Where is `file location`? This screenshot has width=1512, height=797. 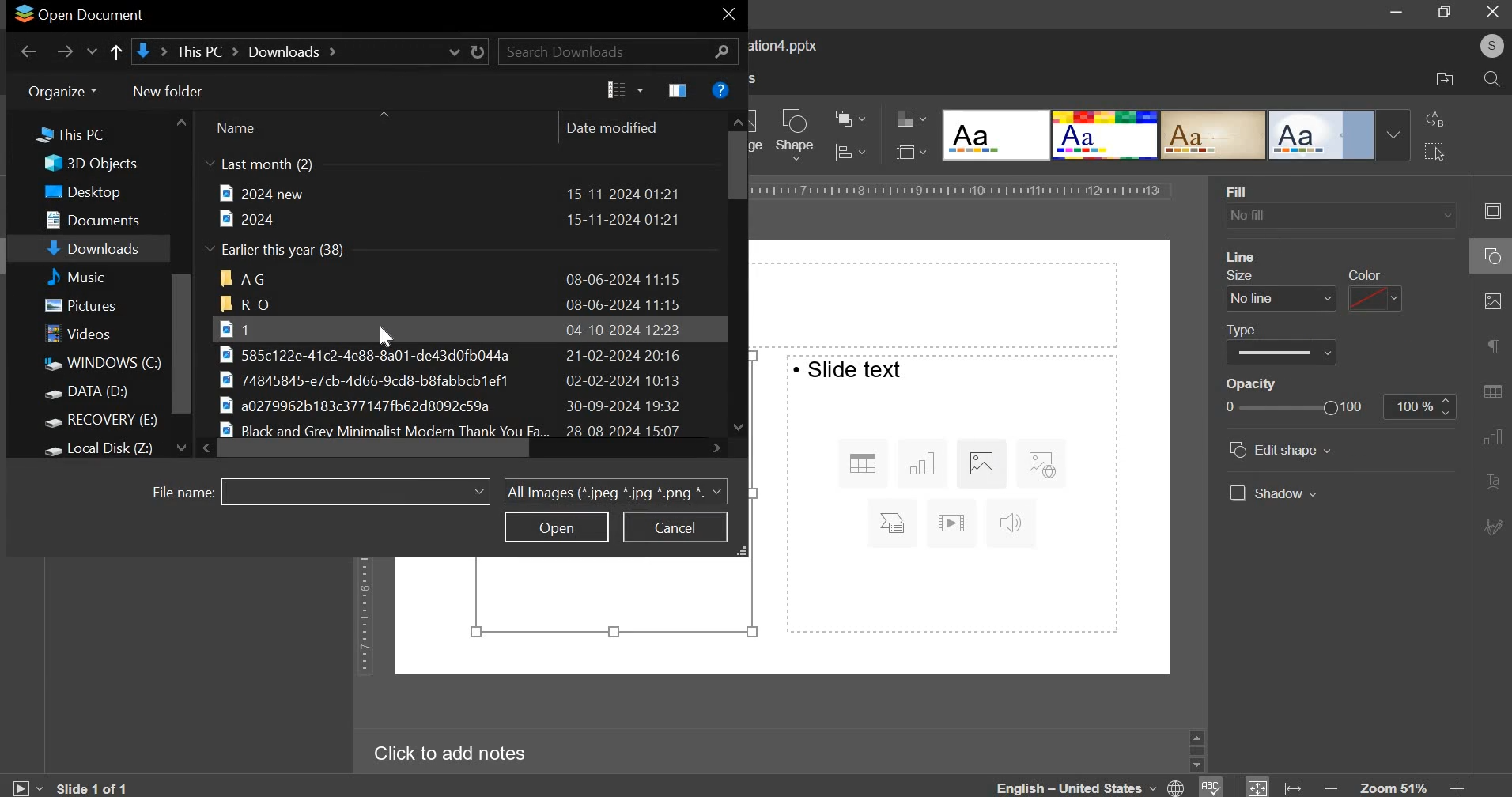
file location is located at coordinates (308, 51).